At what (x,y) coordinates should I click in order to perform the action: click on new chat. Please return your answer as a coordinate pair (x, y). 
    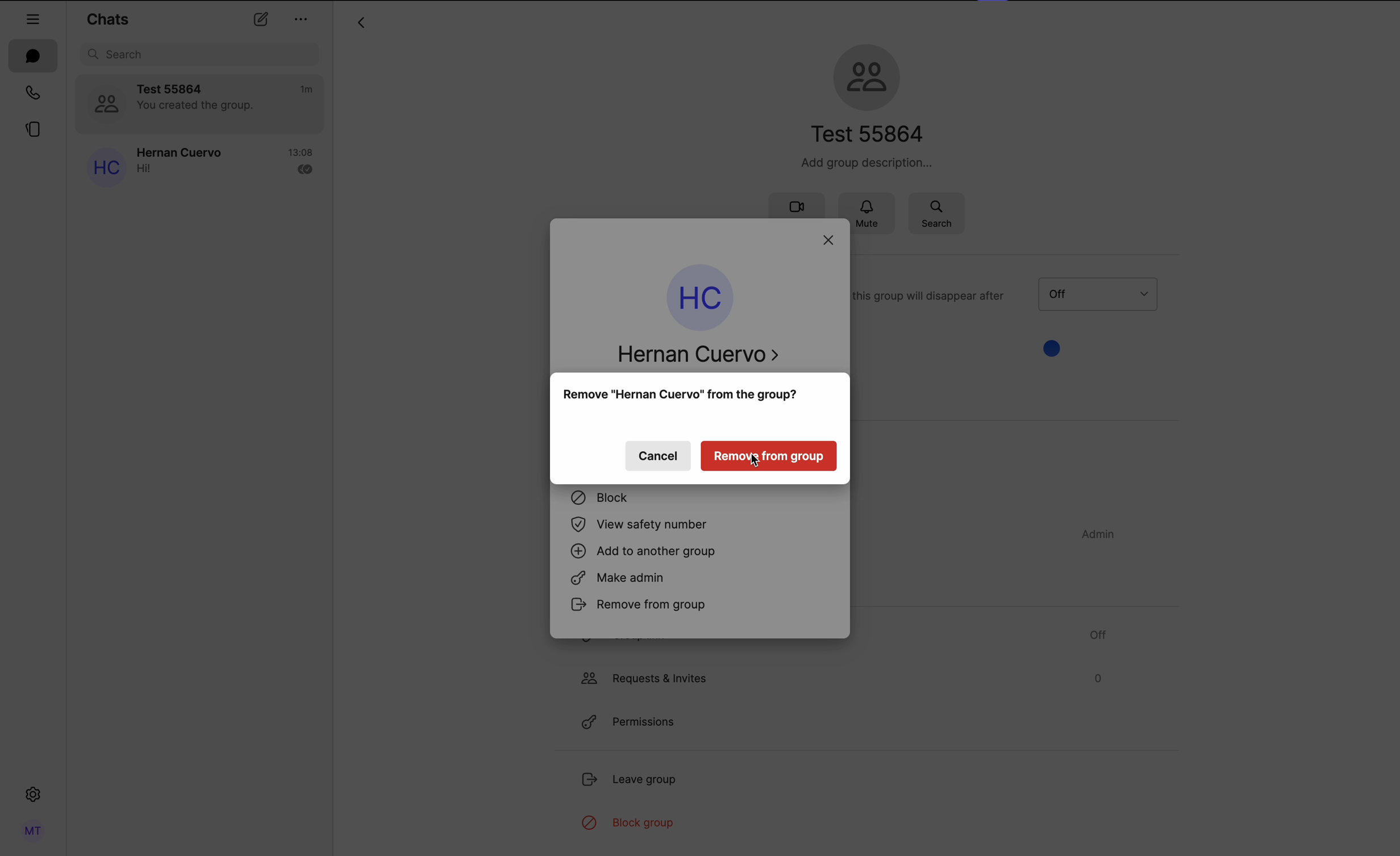
    Looking at the image, I should click on (260, 21).